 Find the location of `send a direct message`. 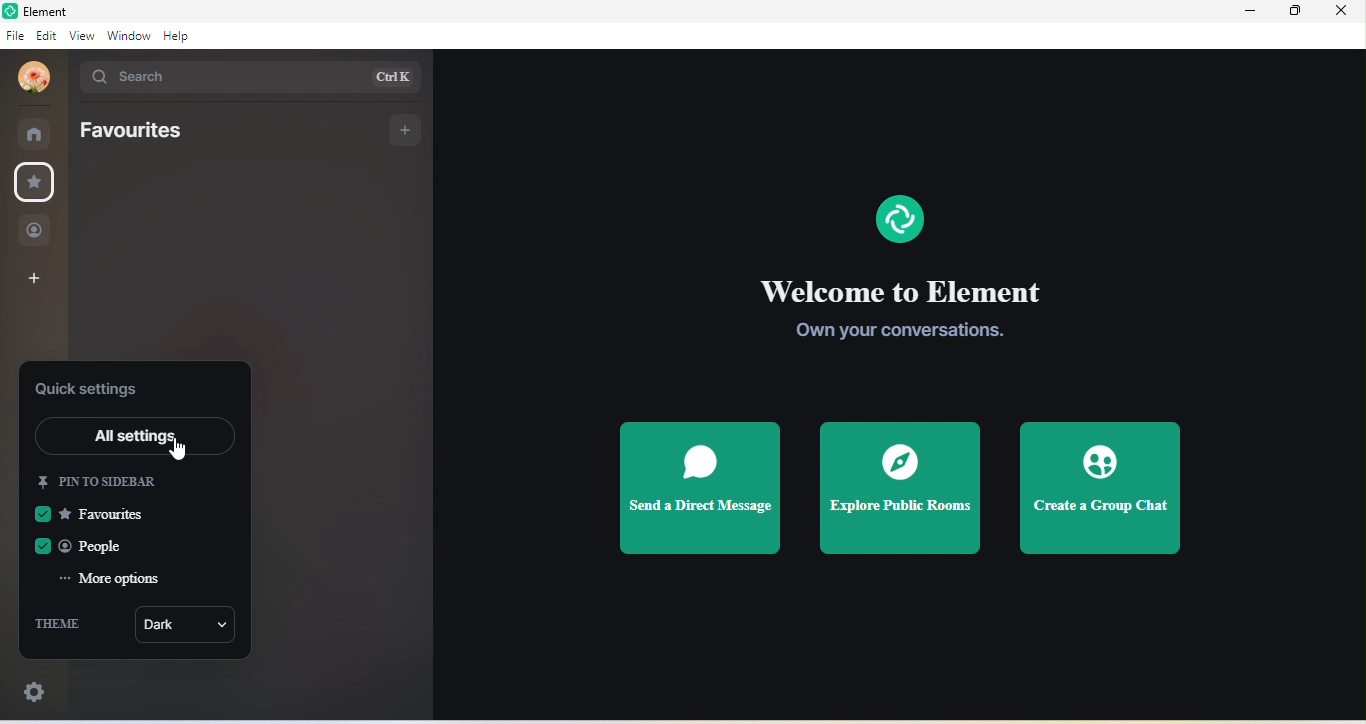

send a direct message is located at coordinates (699, 490).